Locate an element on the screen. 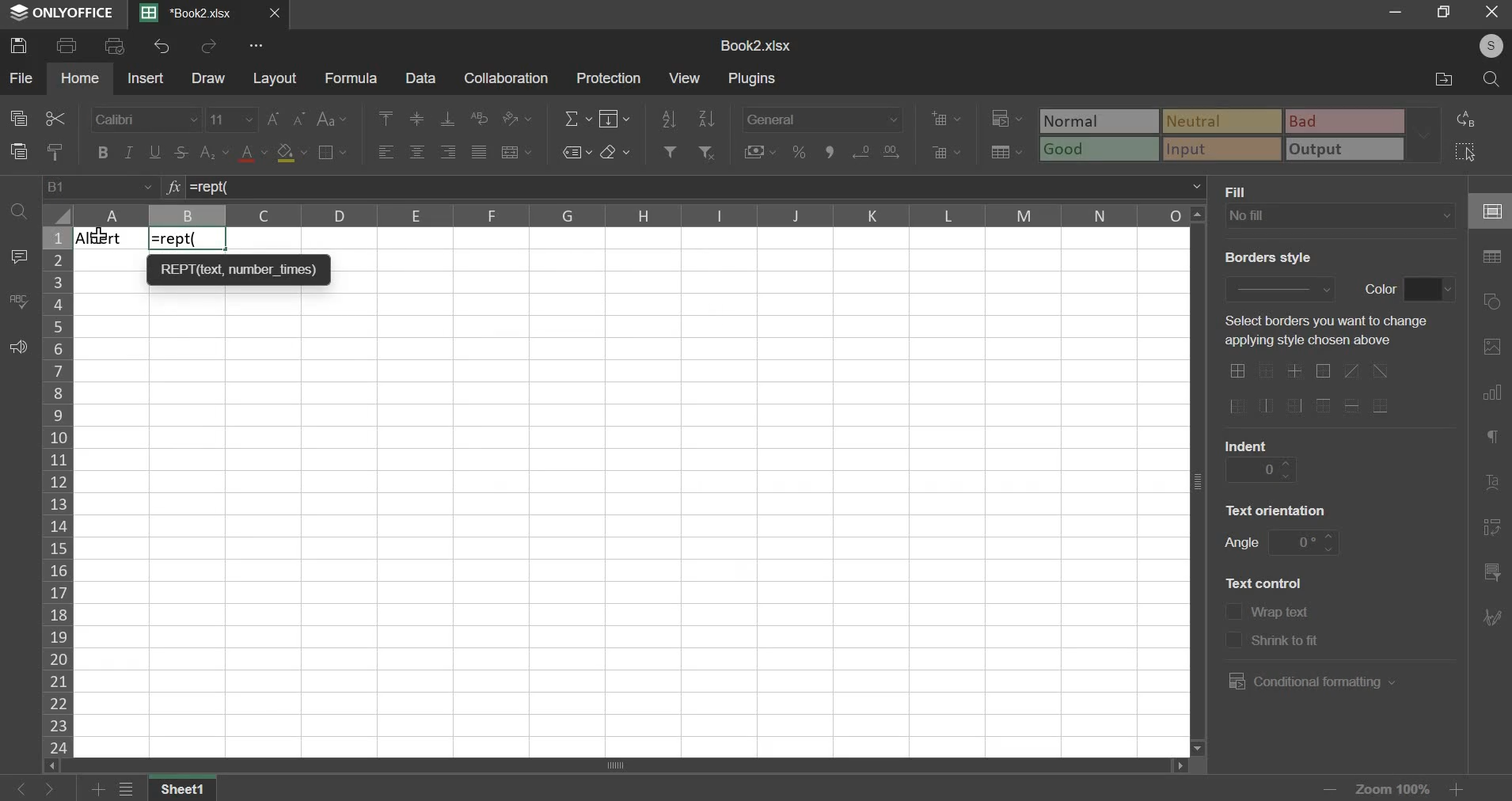 This screenshot has height=801, width=1512. orientation is located at coordinates (1282, 512).